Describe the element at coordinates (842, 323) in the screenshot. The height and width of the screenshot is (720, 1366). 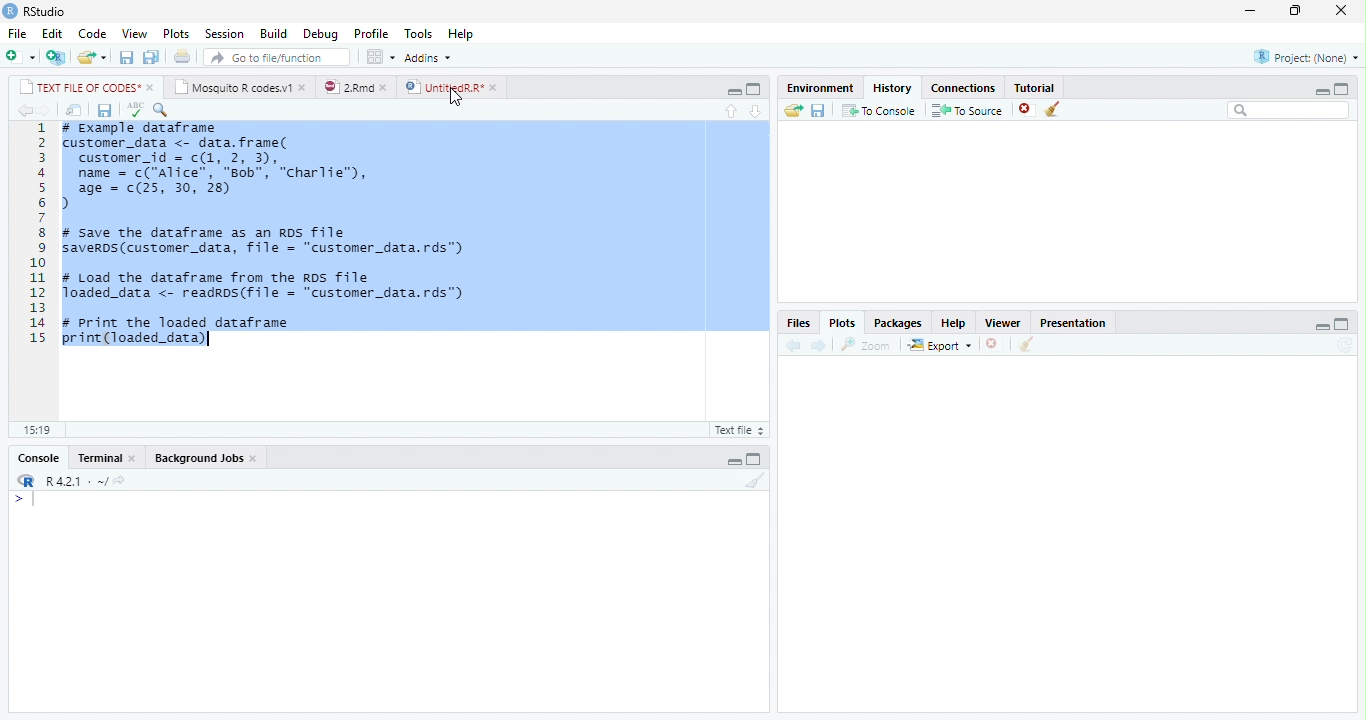
I see `Plots` at that location.